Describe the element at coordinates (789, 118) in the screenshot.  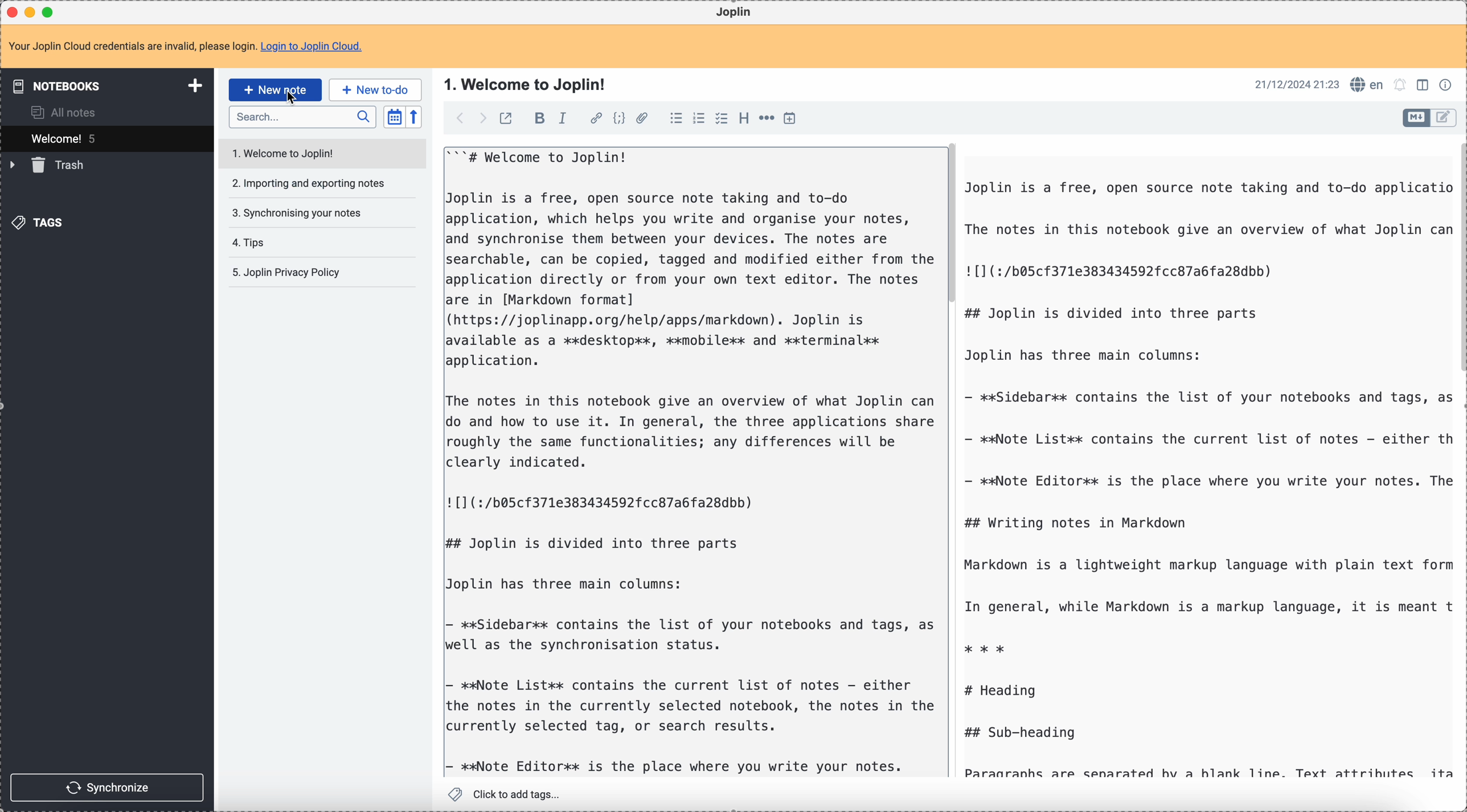
I see `insert time` at that location.